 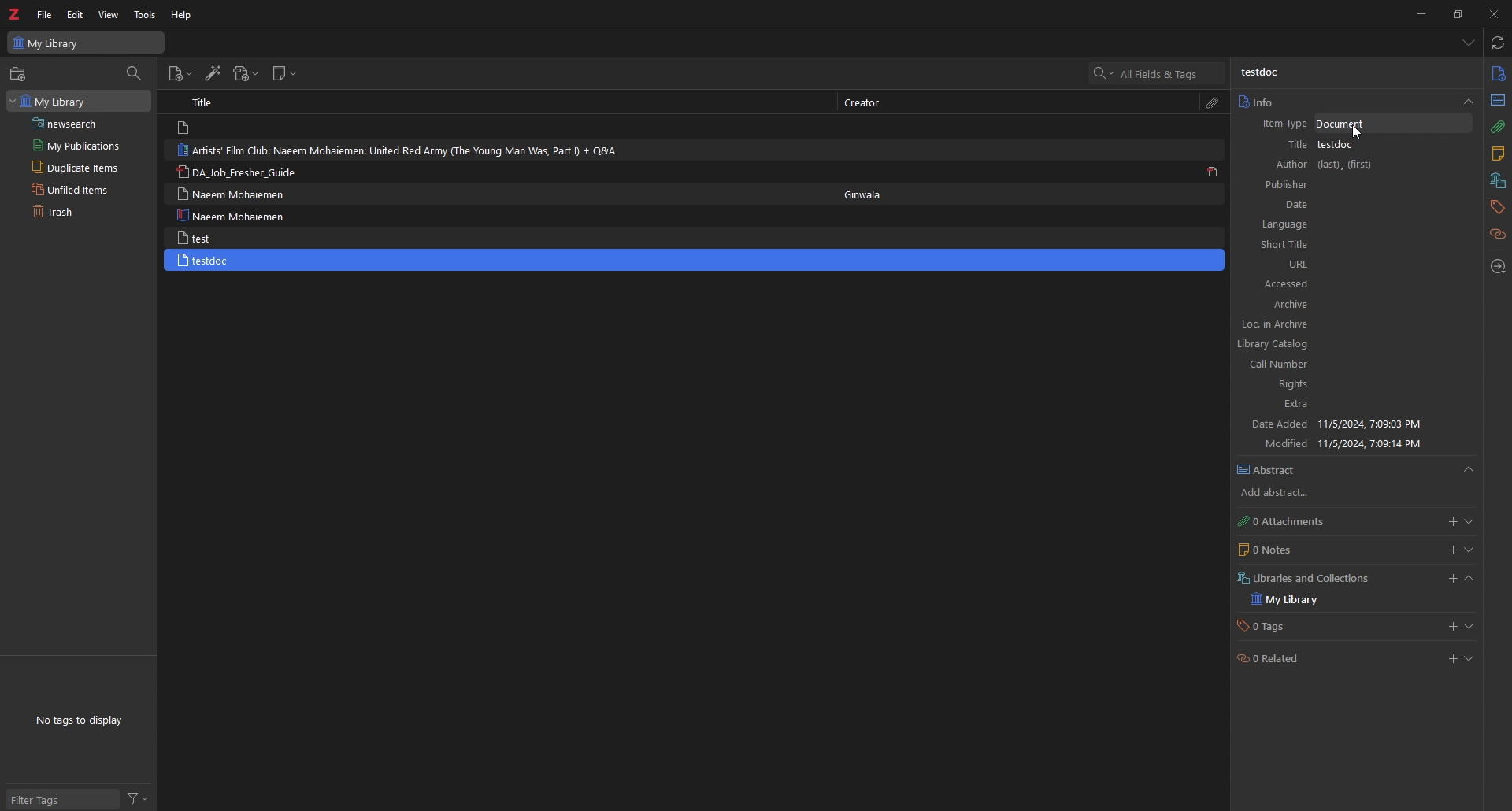 What do you see at coordinates (1449, 627) in the screenshot?
I see `add tags` at bounding box center [1449, 627].